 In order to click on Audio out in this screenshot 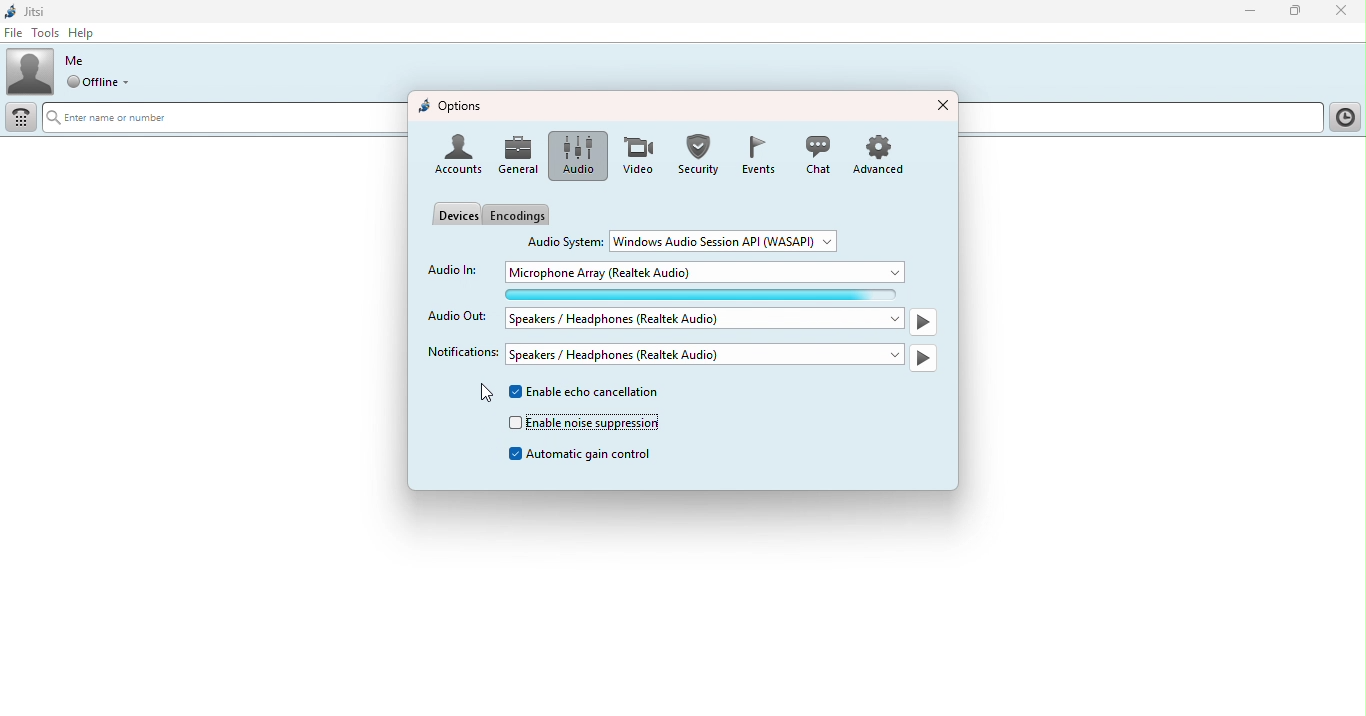, I will do `click(458, 318)`.